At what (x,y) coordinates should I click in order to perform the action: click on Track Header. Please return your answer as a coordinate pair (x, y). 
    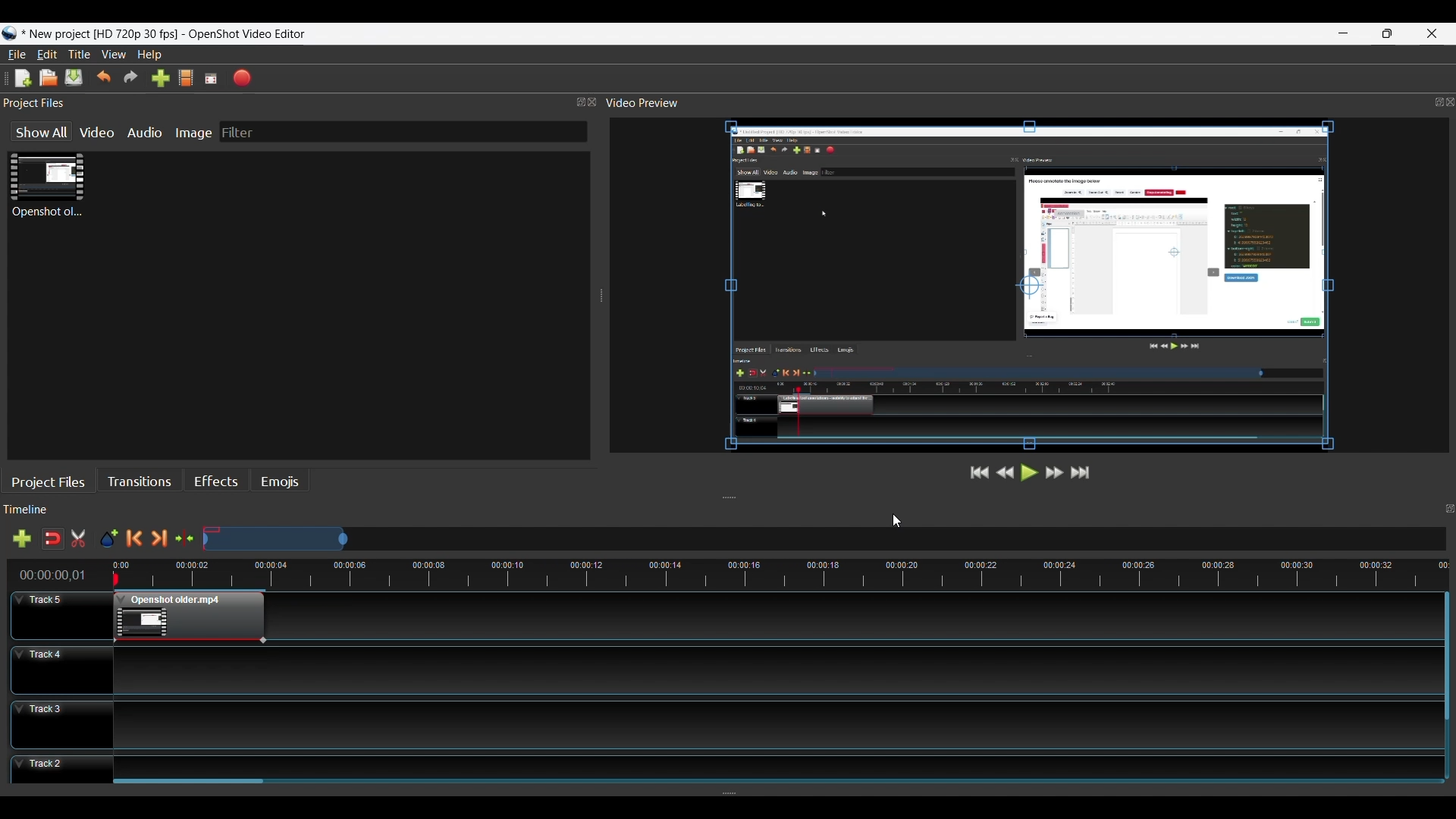
    Looking at the image, I should click on (61, 769).